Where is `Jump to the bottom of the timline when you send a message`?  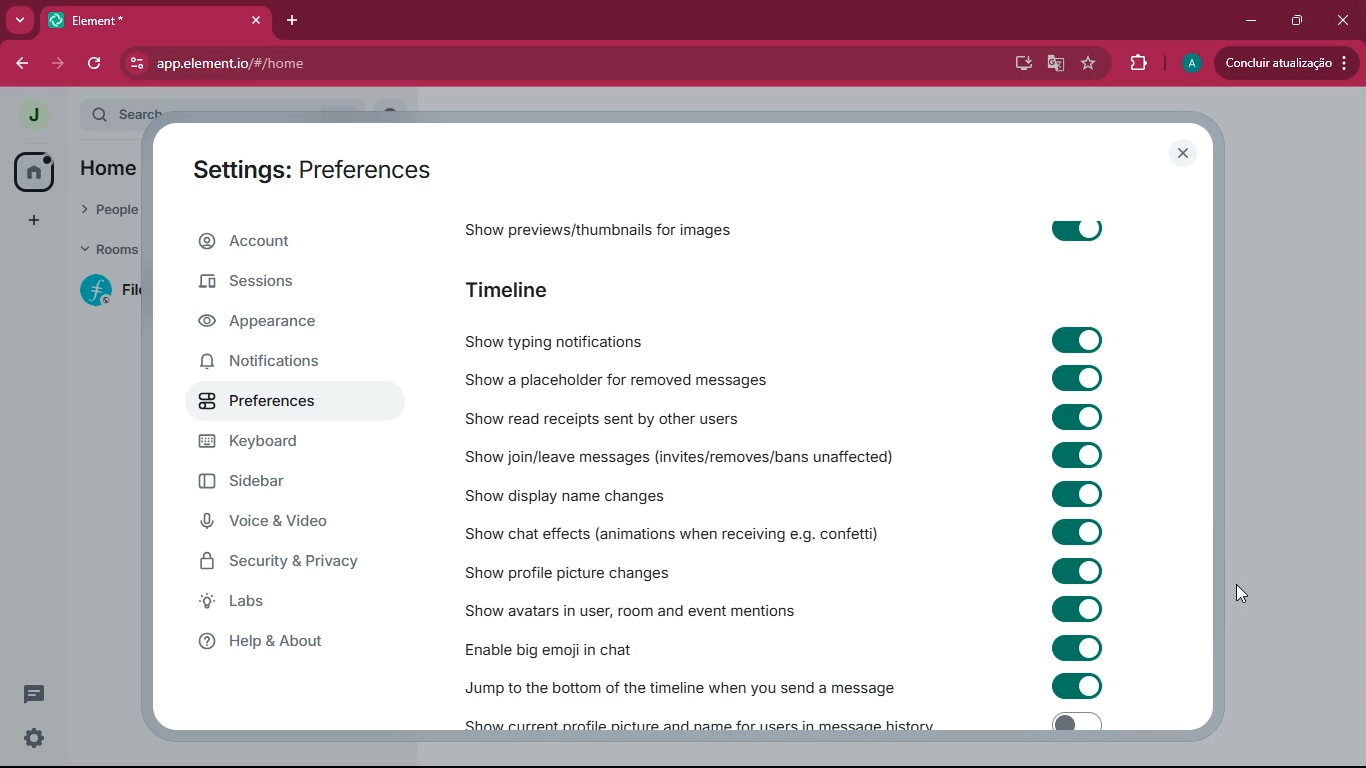
Jump to the bottom of the timline when you send a message is located at coordinates (680, 688).